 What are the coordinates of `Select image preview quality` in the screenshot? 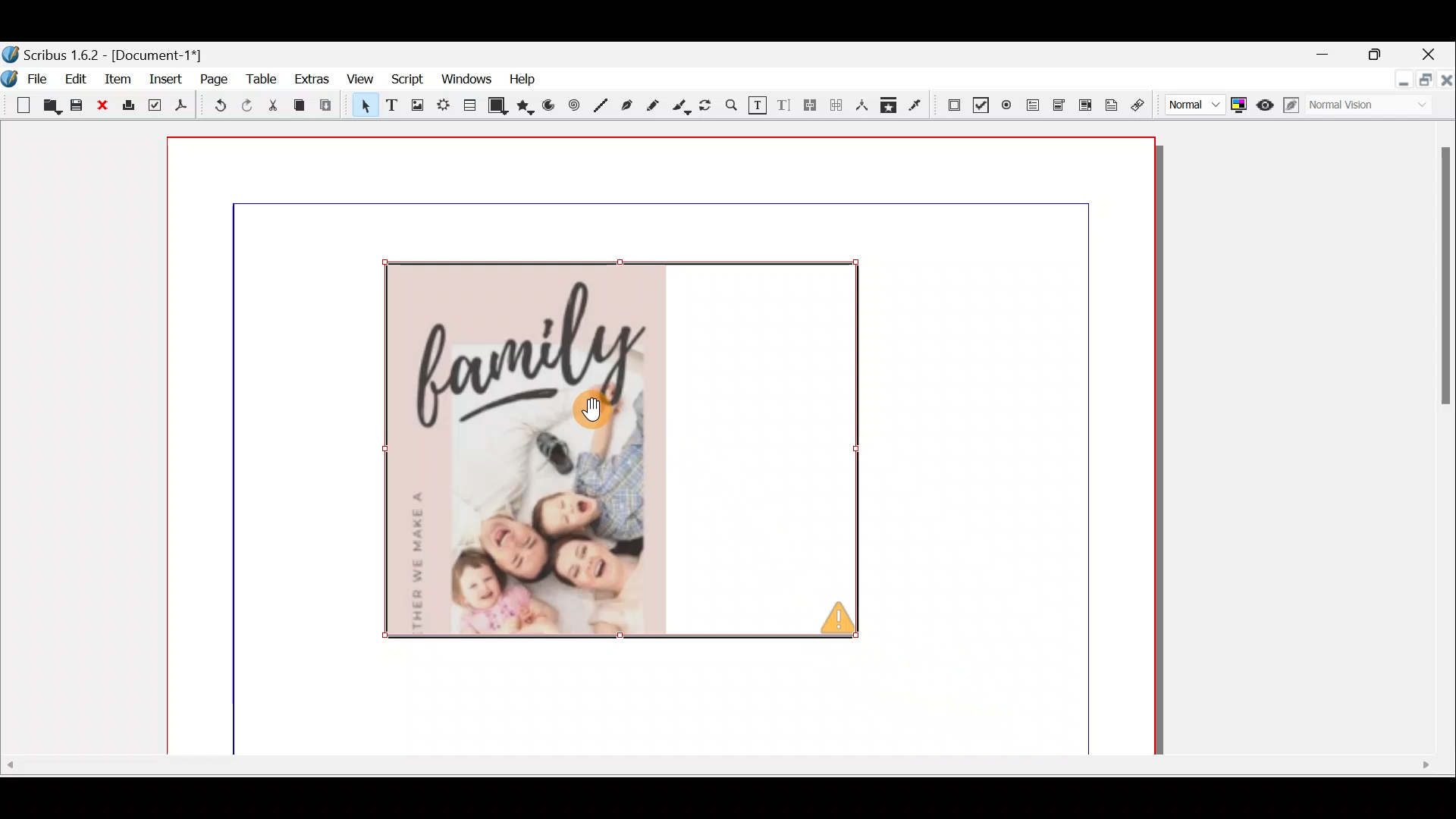 It's located at (1188, 106).